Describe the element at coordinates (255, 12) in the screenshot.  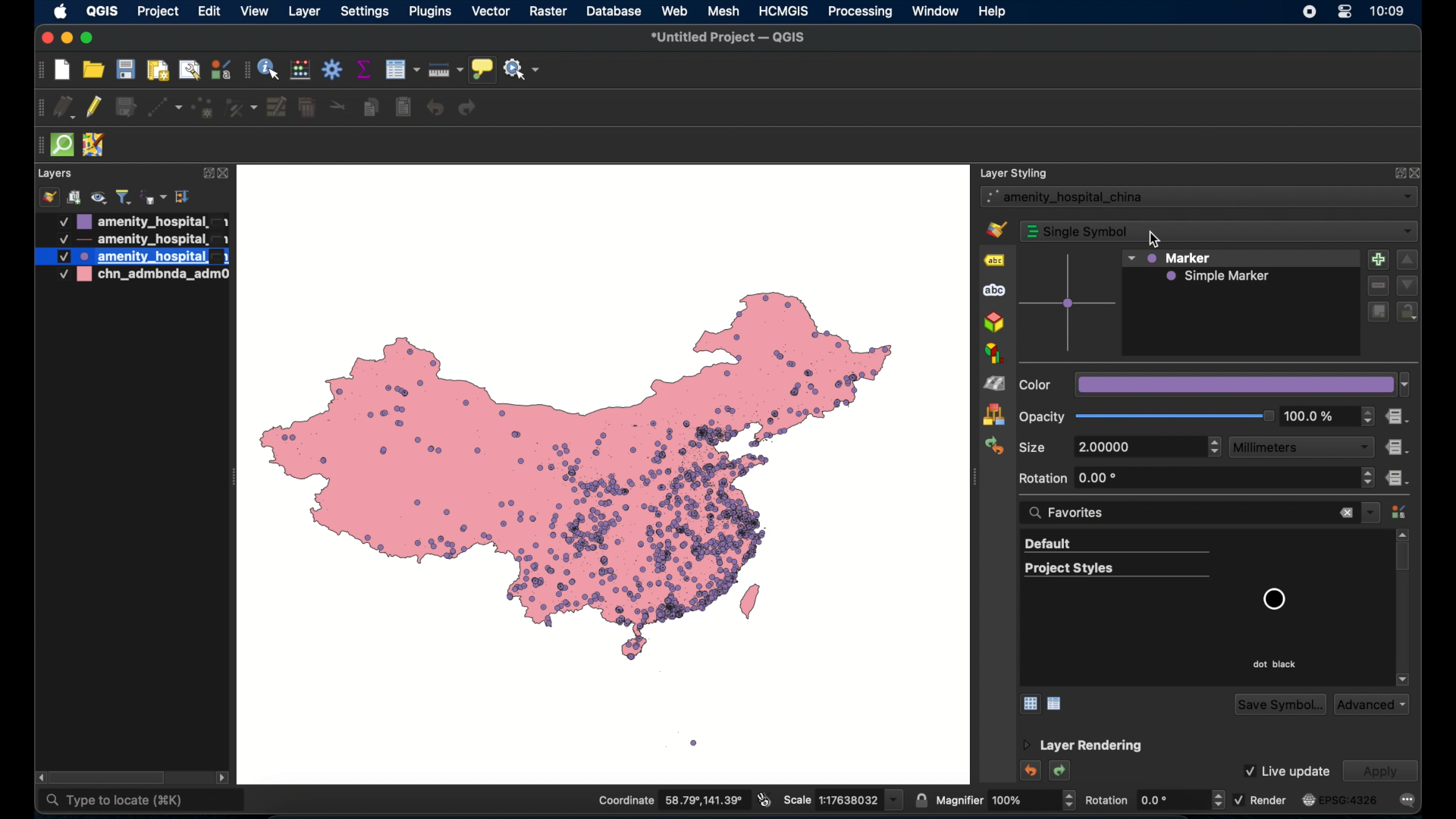
I see `view` at that location.